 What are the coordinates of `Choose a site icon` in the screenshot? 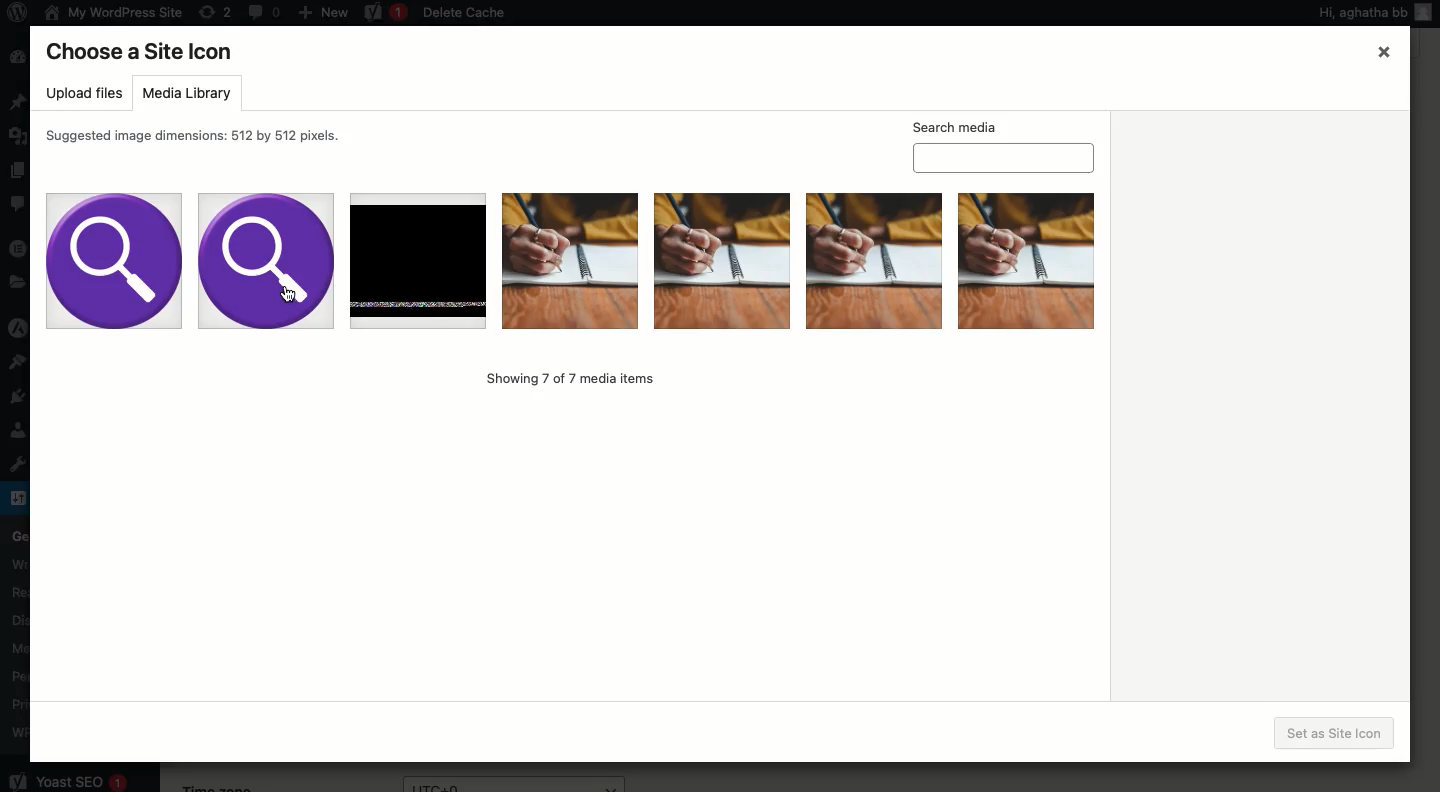 It's located at (142, 52).